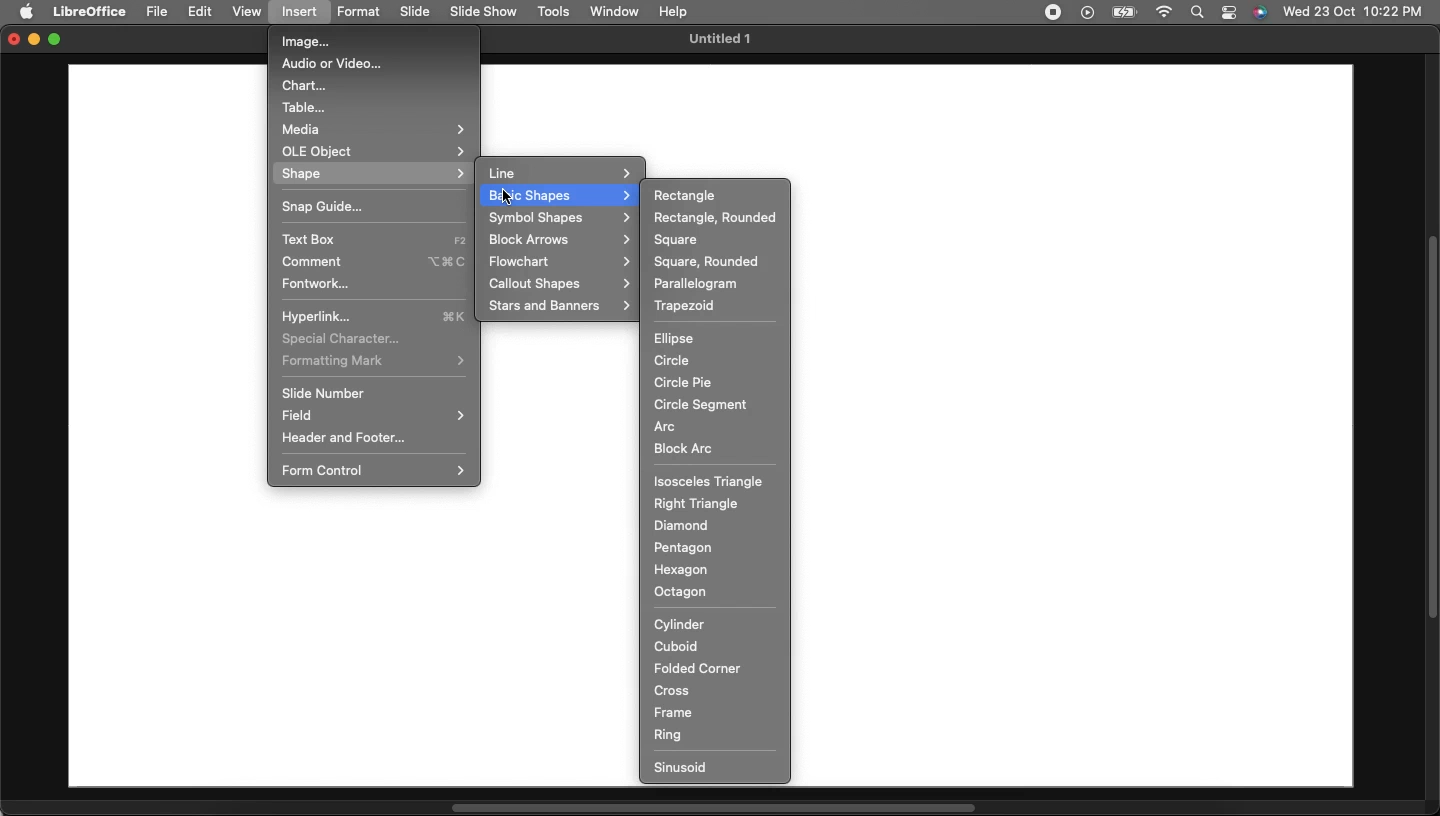 Image resolution: width=1440 pixels, height=816 pixels. I want to click on Square rounded, so click(704, 261).